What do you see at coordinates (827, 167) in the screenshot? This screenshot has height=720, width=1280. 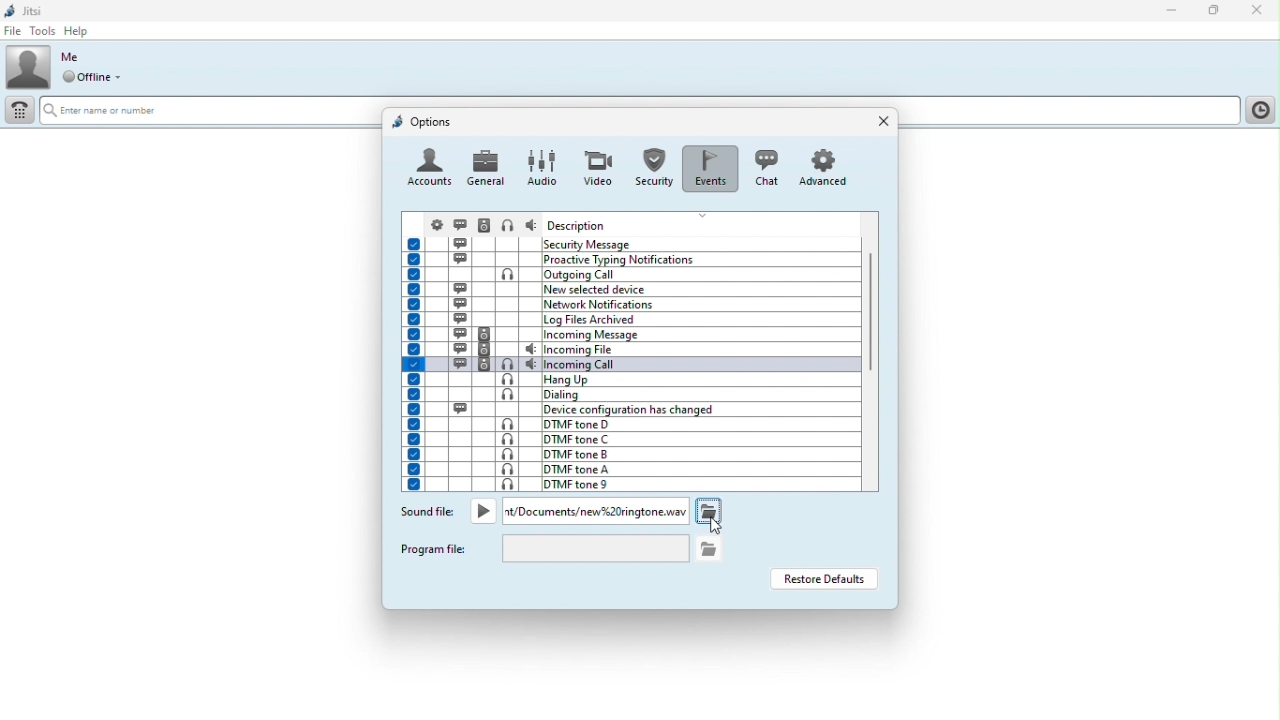 I see `Advanced` at bounding box center [827, 167].